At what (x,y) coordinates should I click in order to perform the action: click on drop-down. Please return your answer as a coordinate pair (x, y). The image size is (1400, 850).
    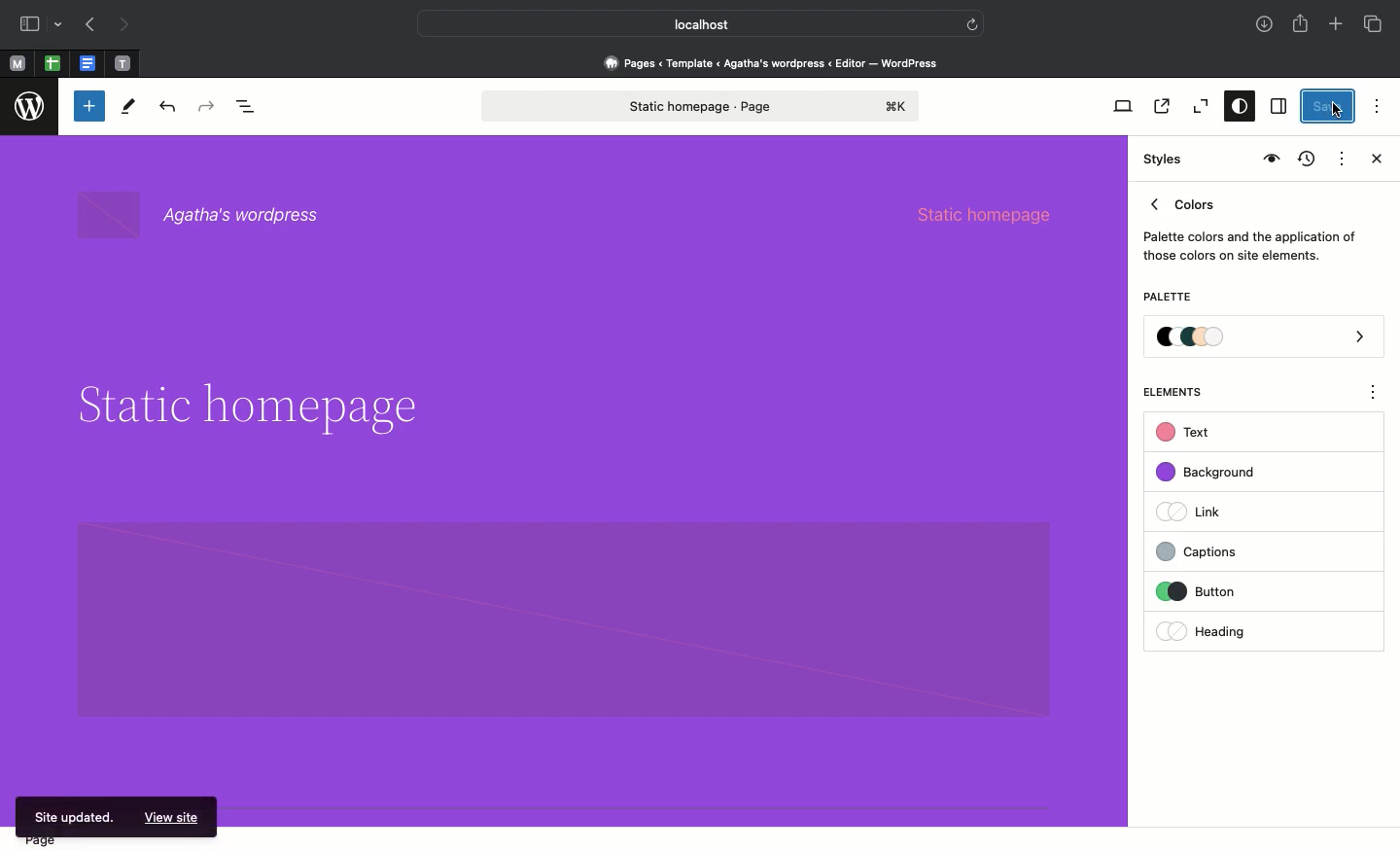
    Looking at the image, I should click on (61, 25).